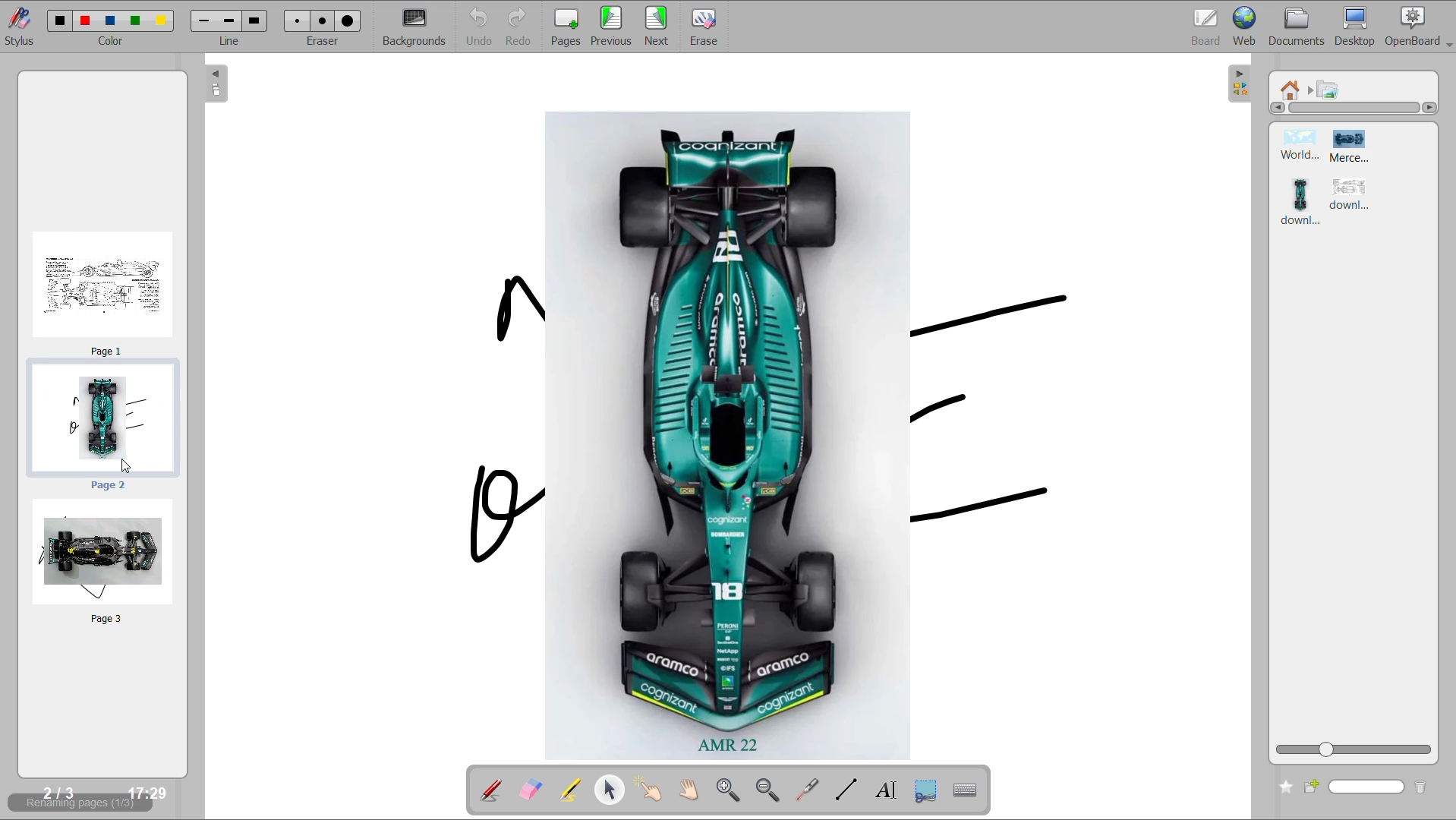 Image resolution: width=1456 pixels, height=820 pixels. I want to click on pictures, so click(1328, 93).